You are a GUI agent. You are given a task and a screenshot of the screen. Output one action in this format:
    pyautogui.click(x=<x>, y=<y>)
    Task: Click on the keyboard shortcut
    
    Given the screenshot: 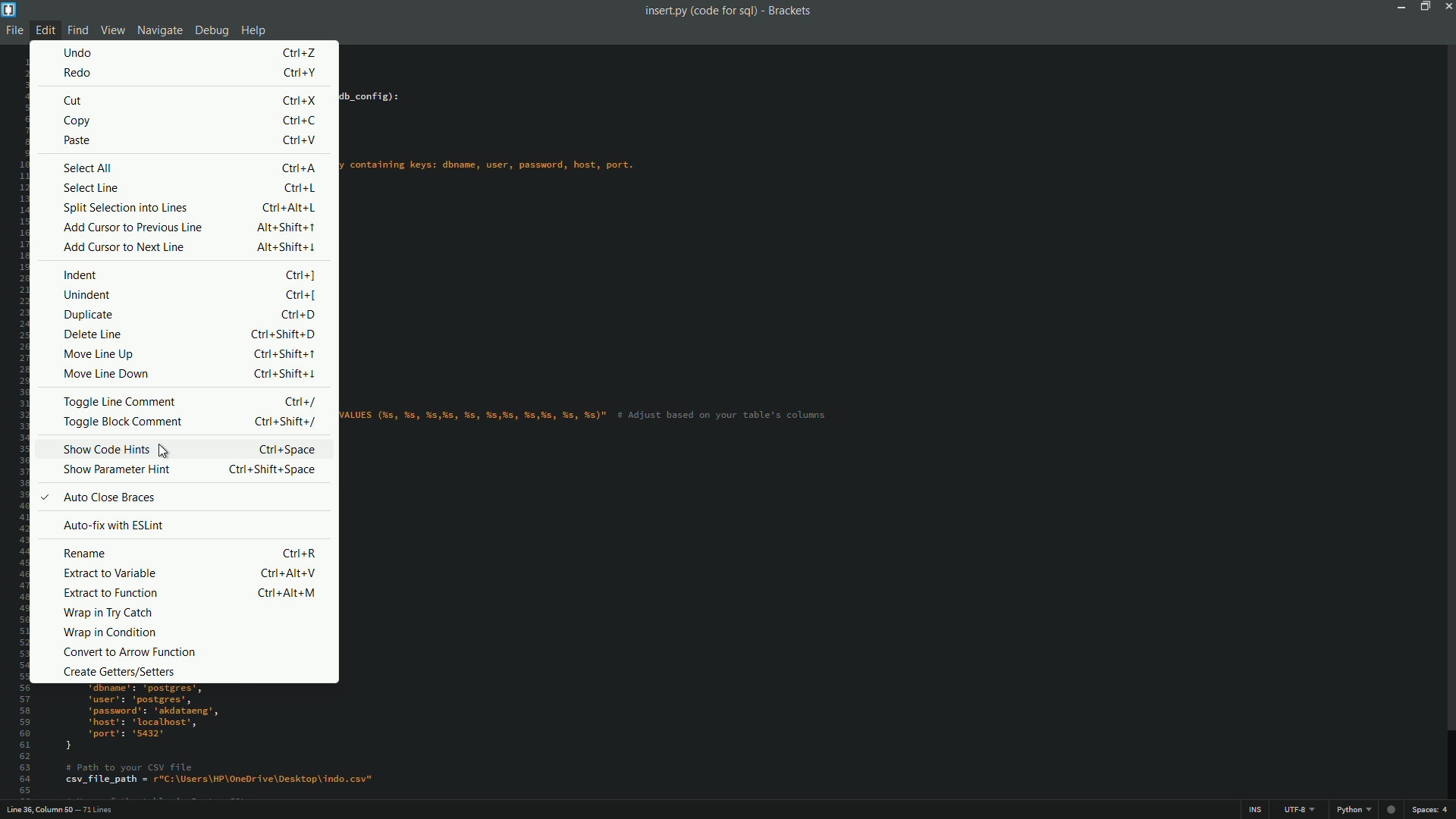 What is the action you would take?
    pyautogui.click(x=284, y=375)
    